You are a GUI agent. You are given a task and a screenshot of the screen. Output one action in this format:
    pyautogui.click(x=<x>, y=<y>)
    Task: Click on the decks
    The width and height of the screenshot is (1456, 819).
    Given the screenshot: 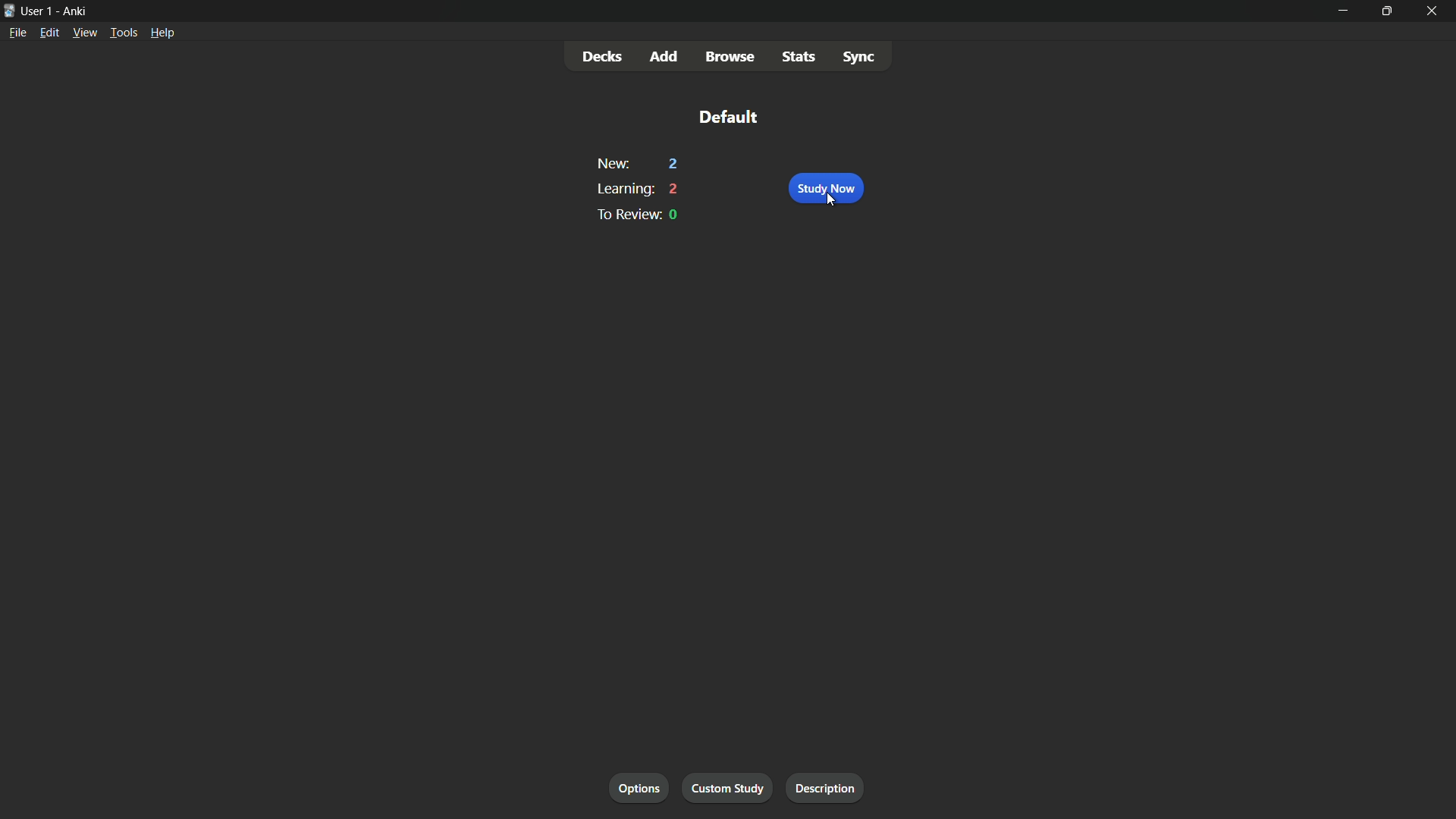 What is the action you would take?
    pyautogui.click(x=604, y=55)
    